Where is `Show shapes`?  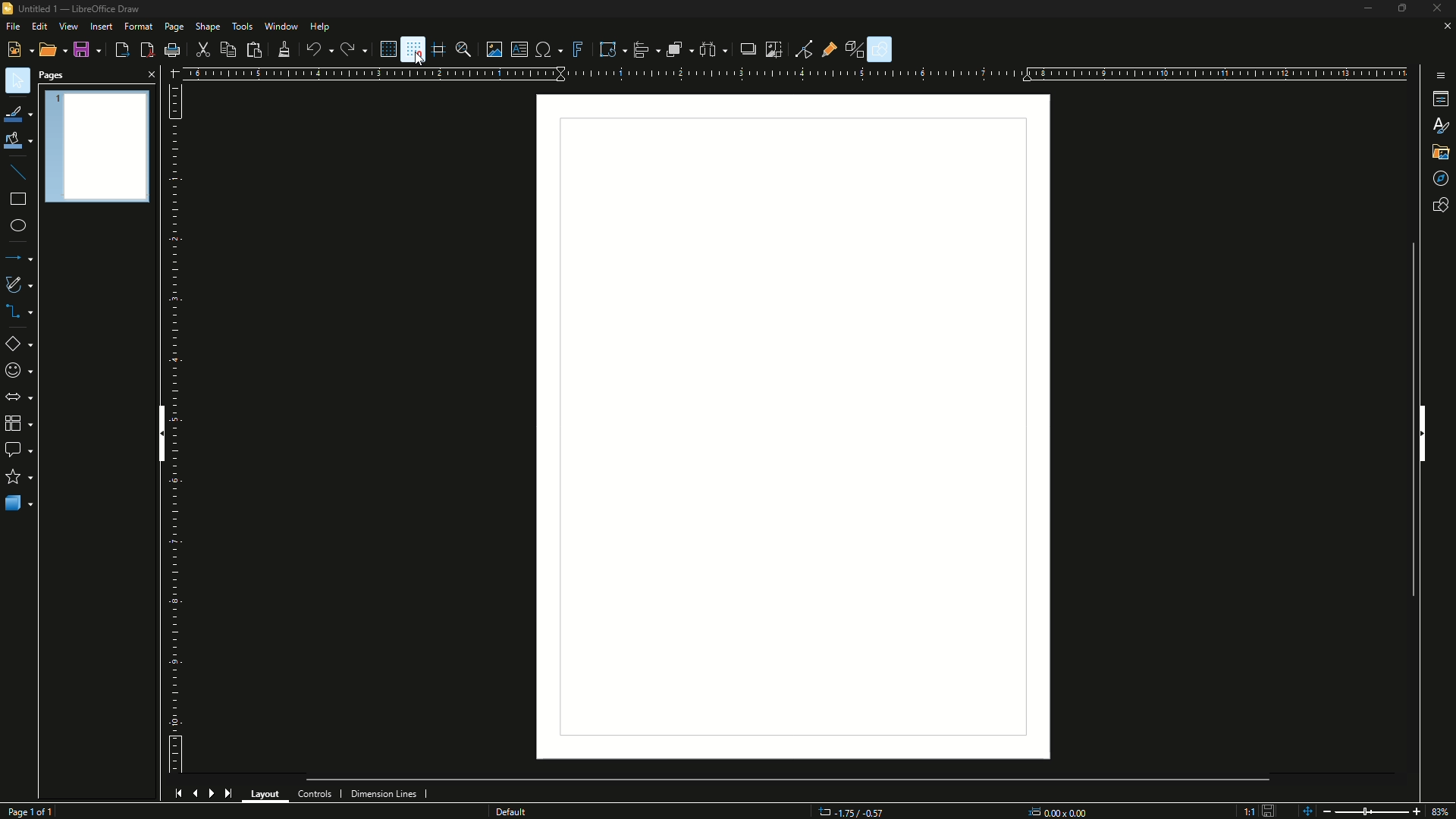
Show shapes is located at coordinates (1439, 204).